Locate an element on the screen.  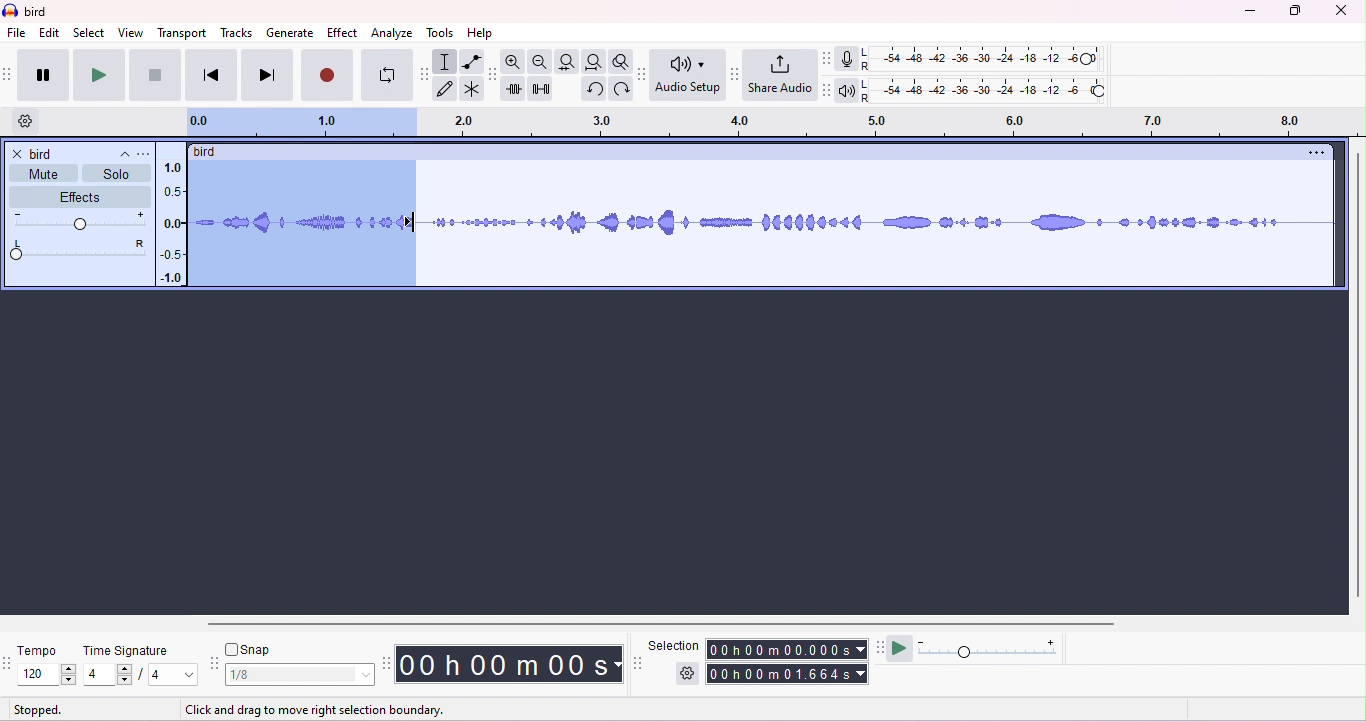
zoom out is located at coordinates (540, 62).